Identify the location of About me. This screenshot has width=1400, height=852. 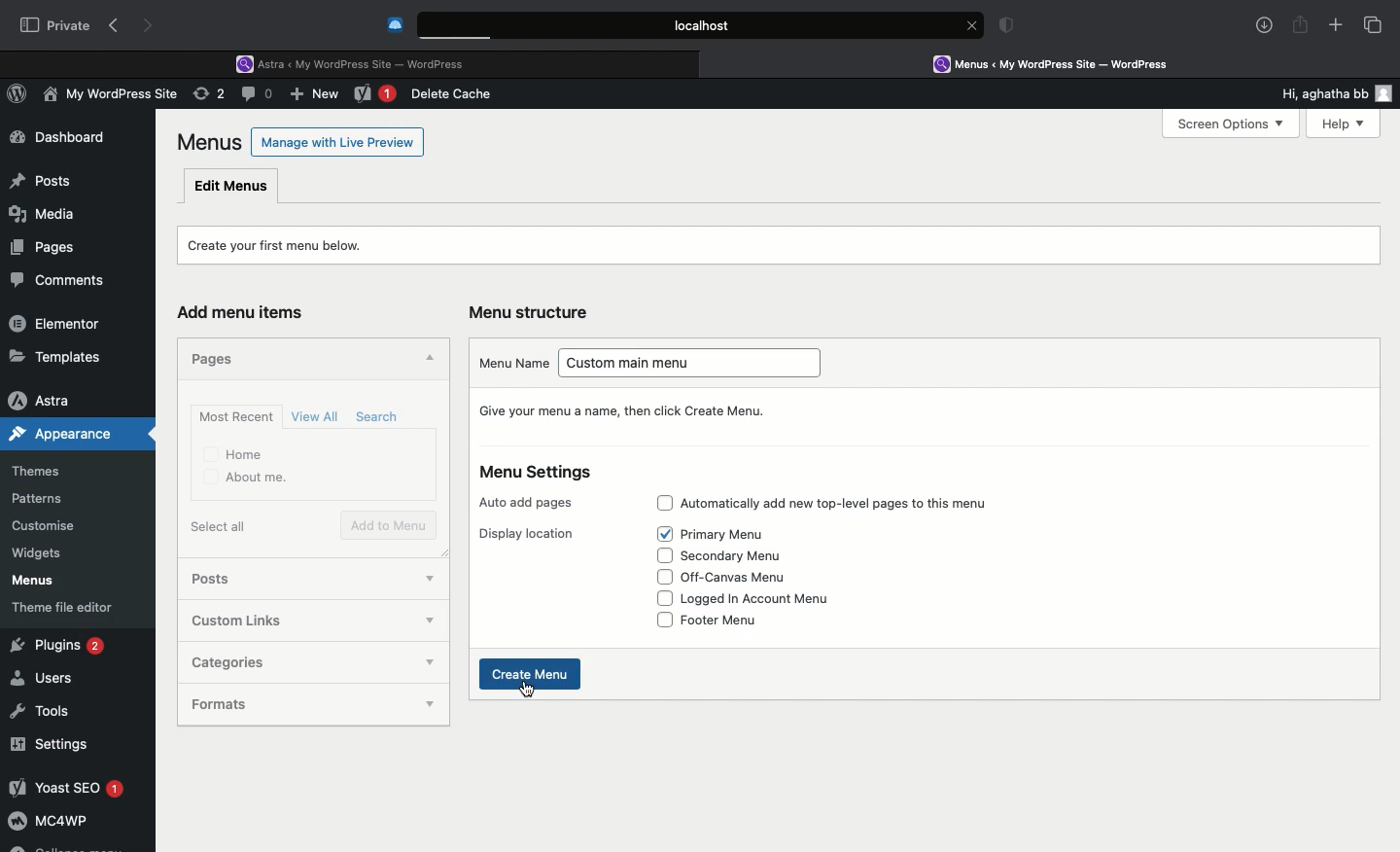
(247, 479).